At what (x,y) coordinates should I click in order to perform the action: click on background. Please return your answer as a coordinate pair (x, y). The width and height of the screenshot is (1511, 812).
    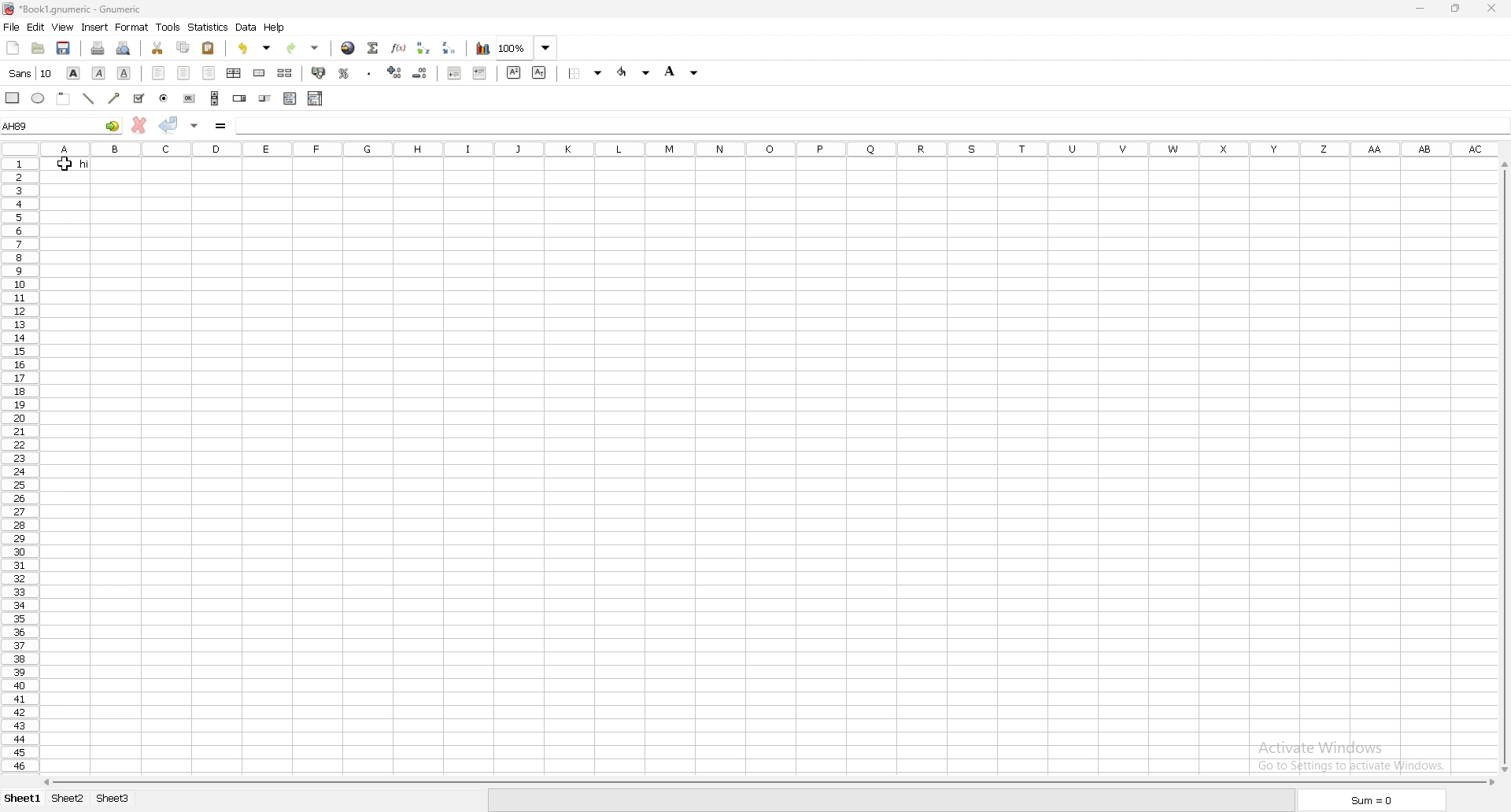
    Looking at the image, I should click on (683, 71).